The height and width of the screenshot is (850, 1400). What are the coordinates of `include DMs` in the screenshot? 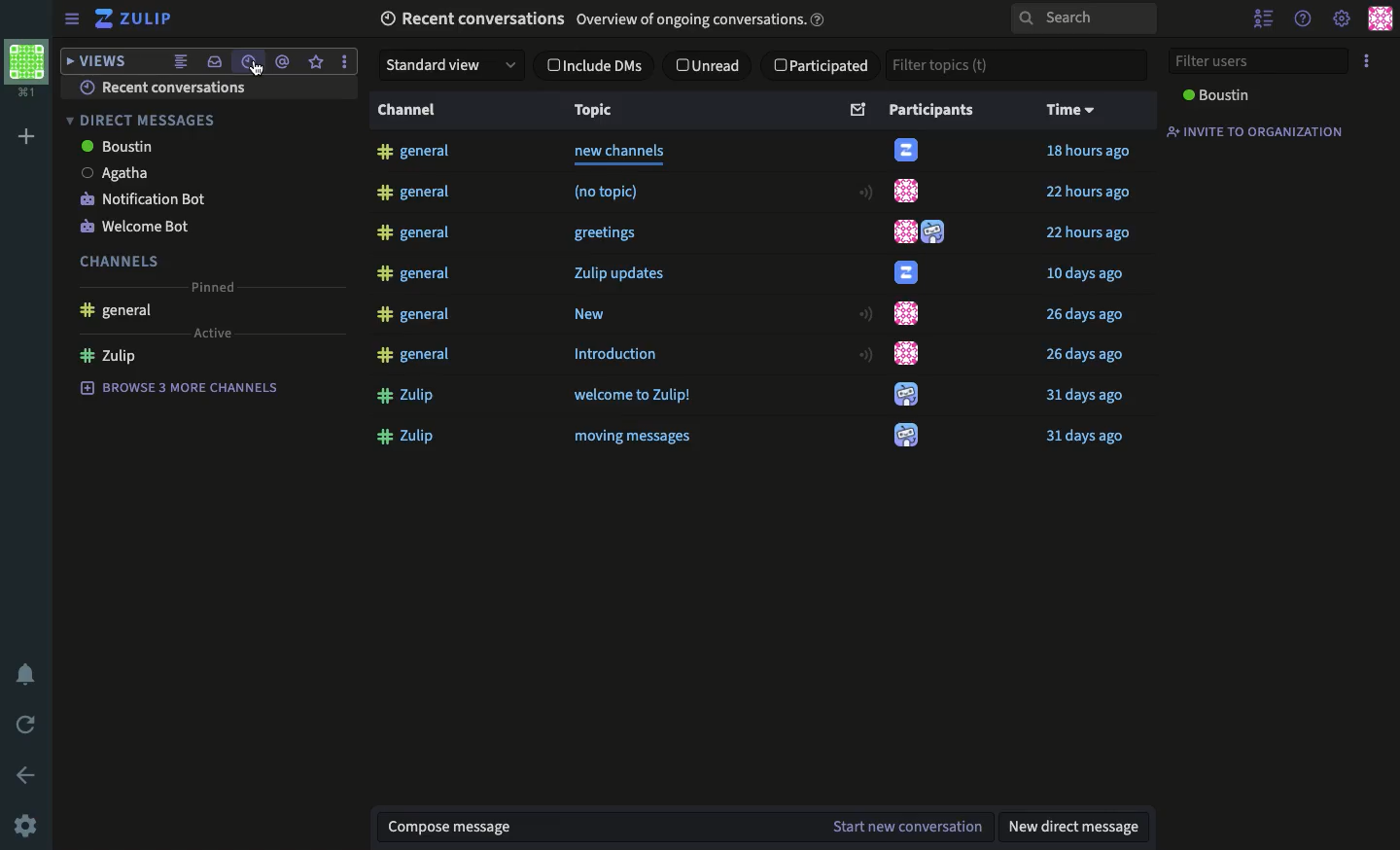 It's located at (597, 66).